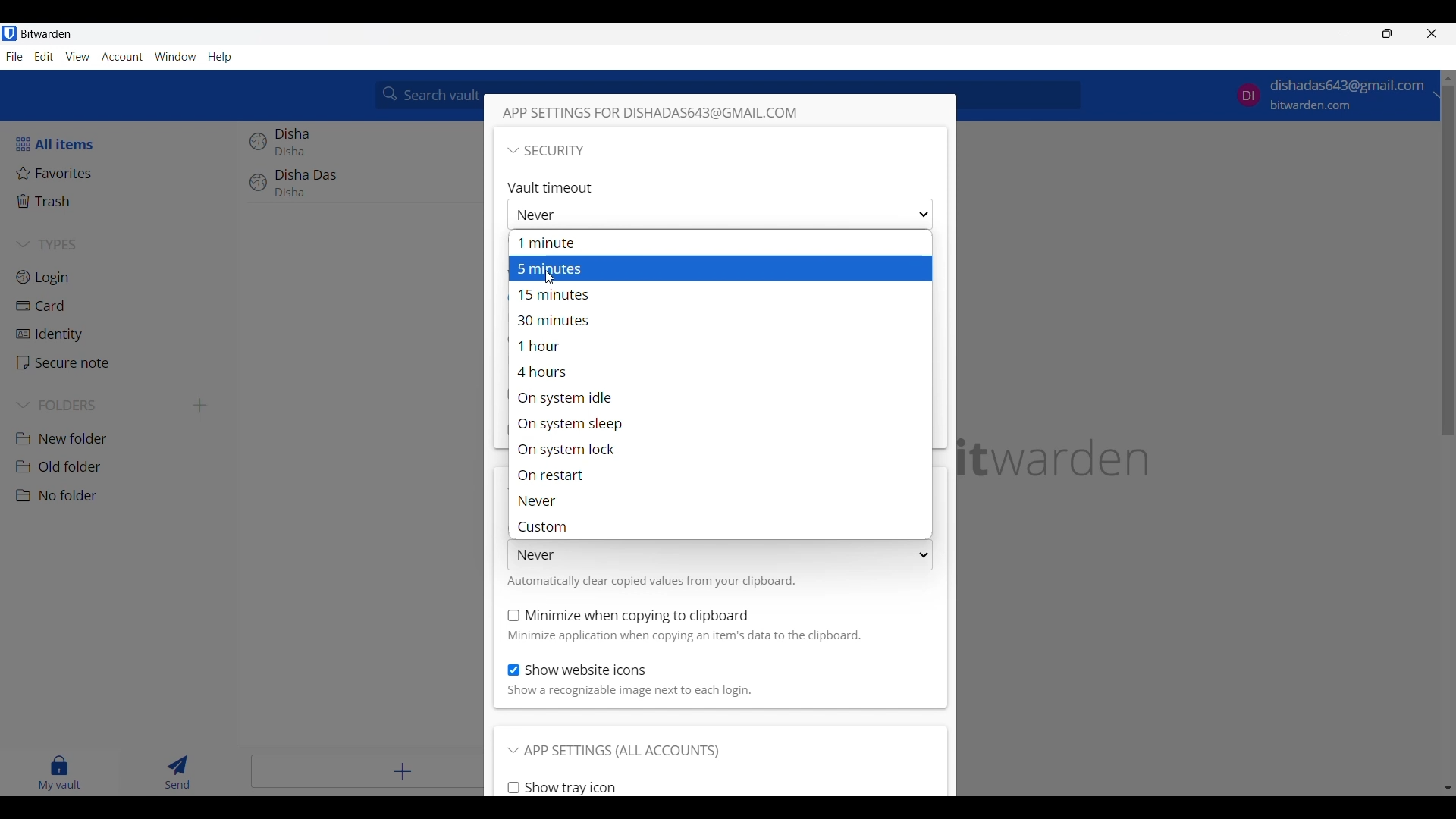  What do you see at coordinates (14, 57) in the screenshot?
I see `File menu` at bounding box center [14, 57].